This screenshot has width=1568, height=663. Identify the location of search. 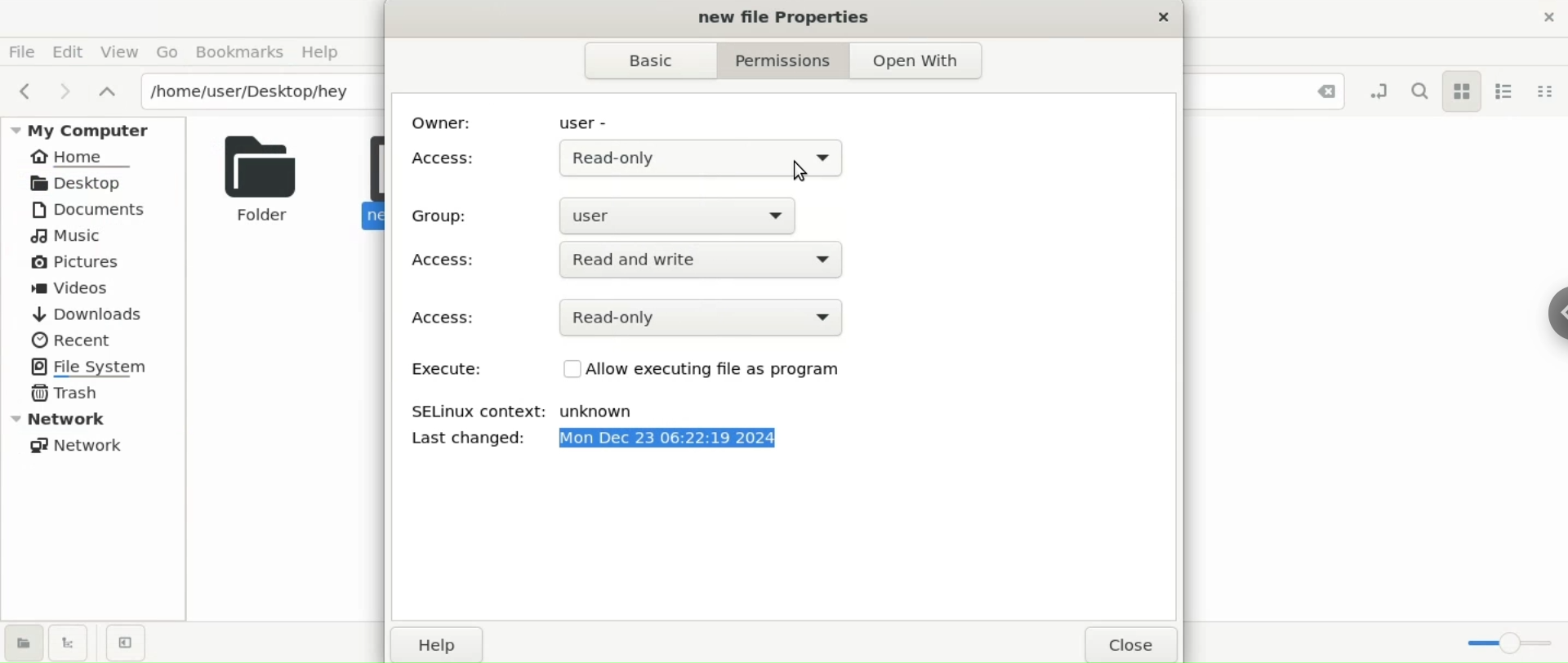
(1423, 89).